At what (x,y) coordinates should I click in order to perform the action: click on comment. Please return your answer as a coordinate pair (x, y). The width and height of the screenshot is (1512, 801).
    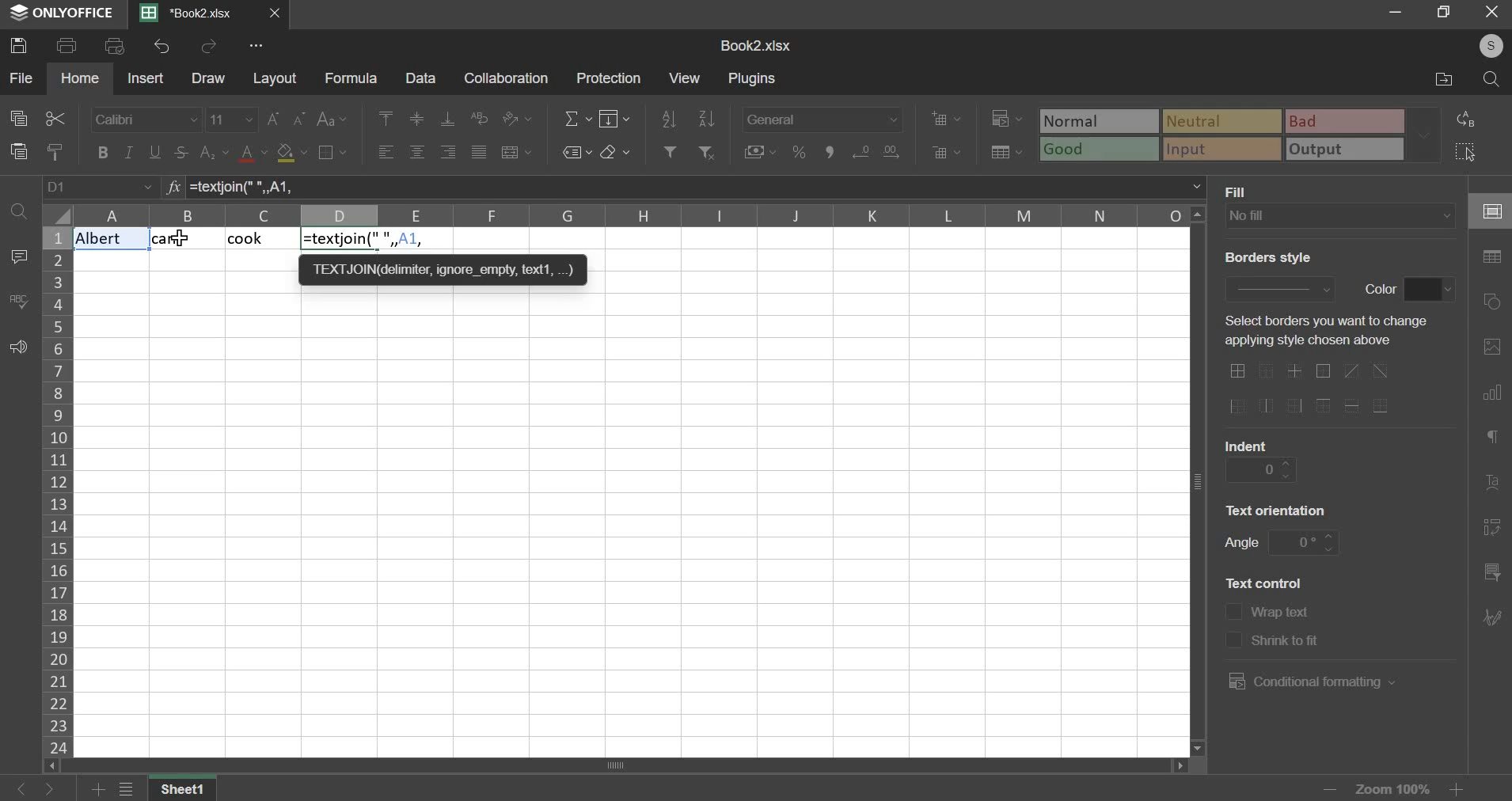
    Looking at the image, I should click on (18, 256).